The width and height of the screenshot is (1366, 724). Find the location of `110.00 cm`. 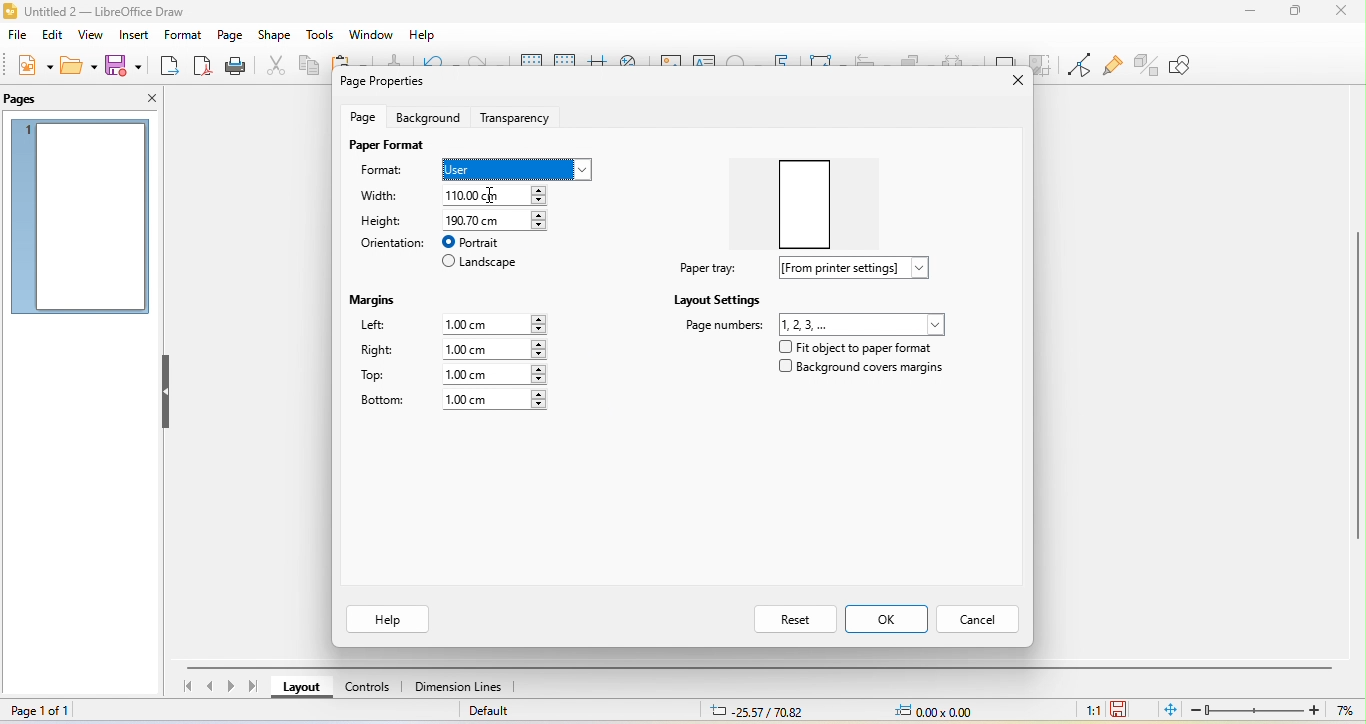

110.00 cm is located at coordinates (502, 193).